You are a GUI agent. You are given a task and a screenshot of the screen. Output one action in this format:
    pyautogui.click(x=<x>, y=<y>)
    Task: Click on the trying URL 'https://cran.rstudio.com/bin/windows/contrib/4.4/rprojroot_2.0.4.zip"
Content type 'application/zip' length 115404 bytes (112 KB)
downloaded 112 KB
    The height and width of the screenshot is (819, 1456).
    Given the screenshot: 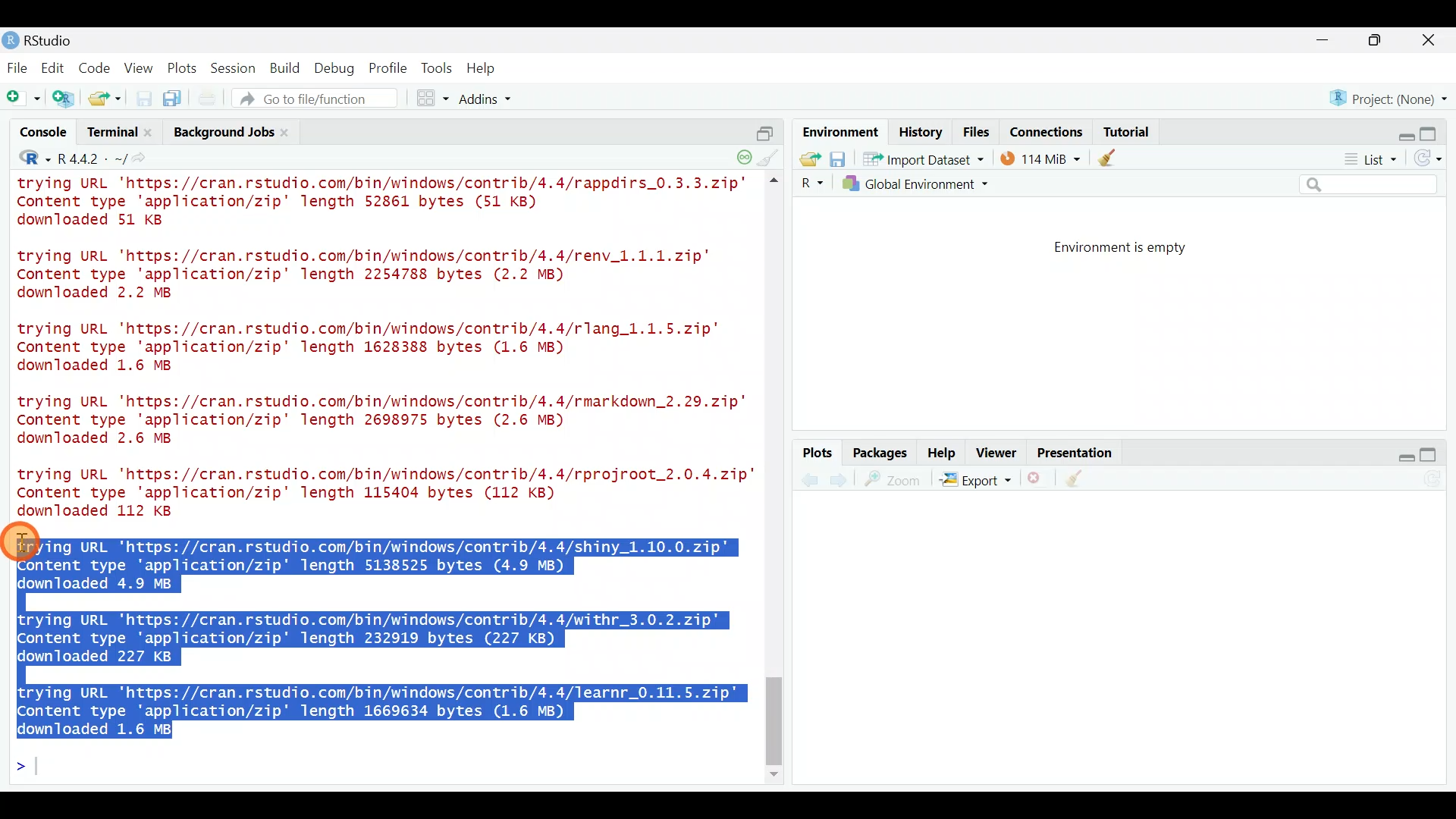 What is the action you would take?
    pyautogui.click(x=378, y=492)
    